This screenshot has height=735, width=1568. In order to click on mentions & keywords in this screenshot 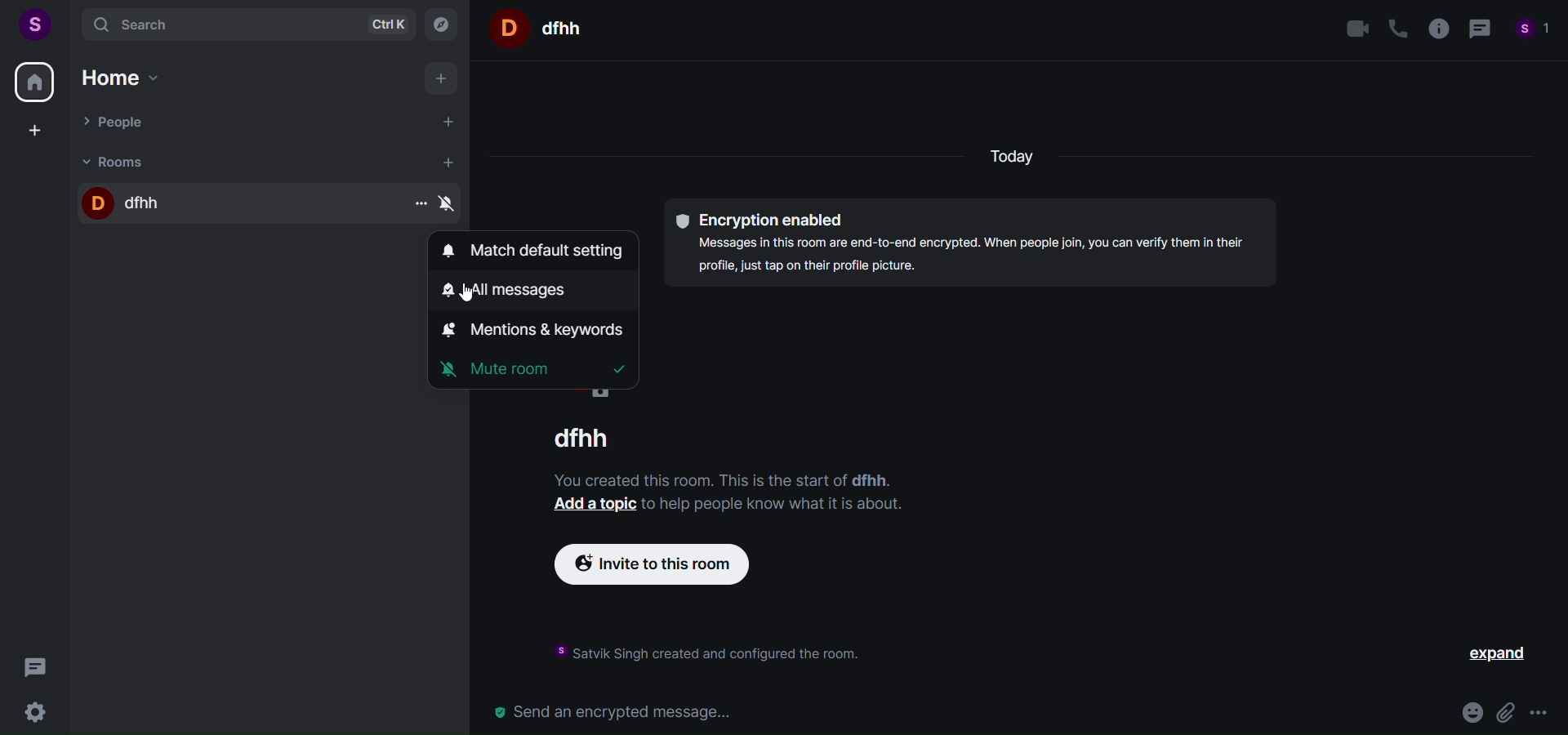, I will do `click(536, 328)`.